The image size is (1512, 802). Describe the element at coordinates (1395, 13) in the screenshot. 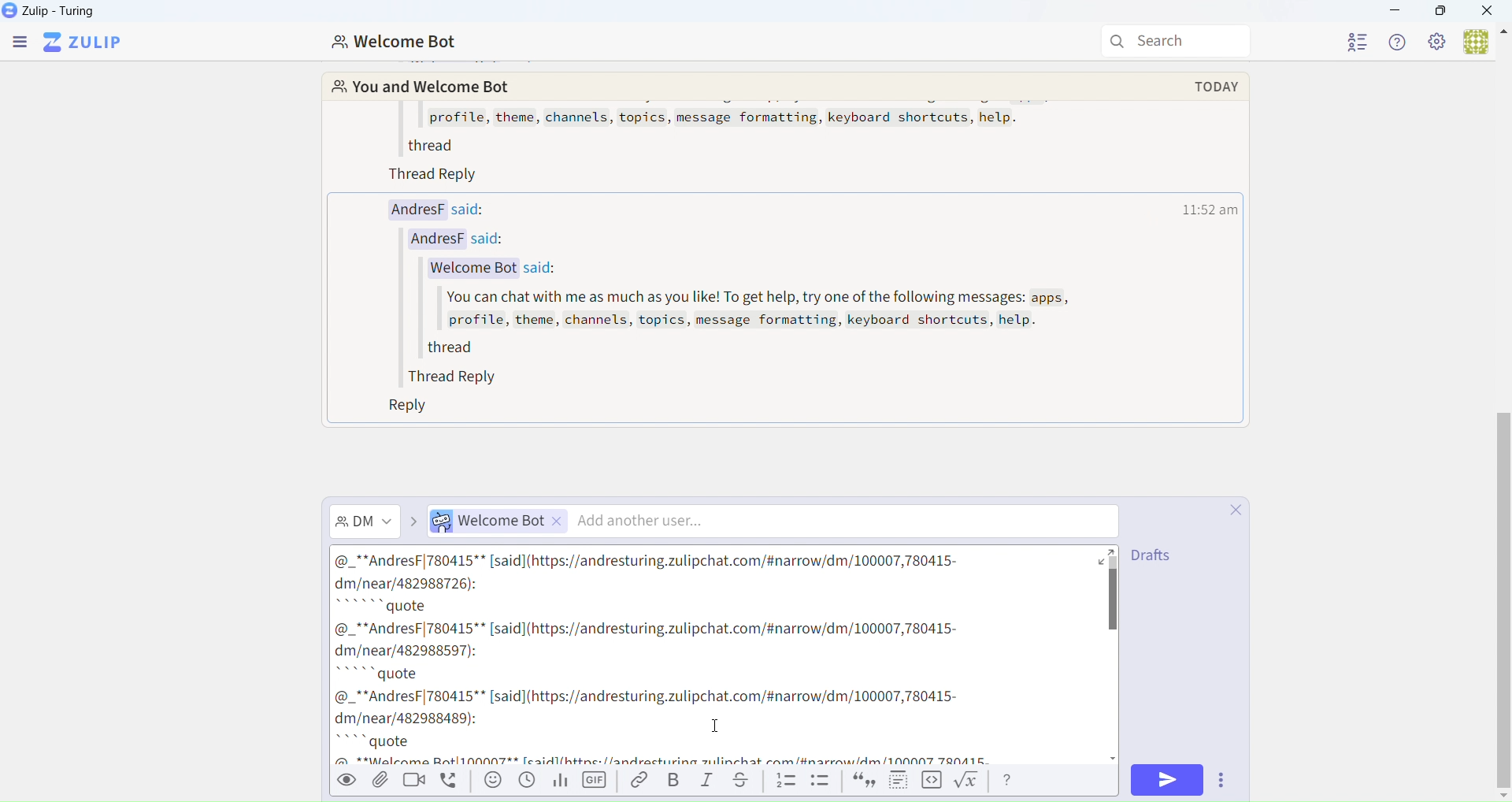

I see `` at that location.